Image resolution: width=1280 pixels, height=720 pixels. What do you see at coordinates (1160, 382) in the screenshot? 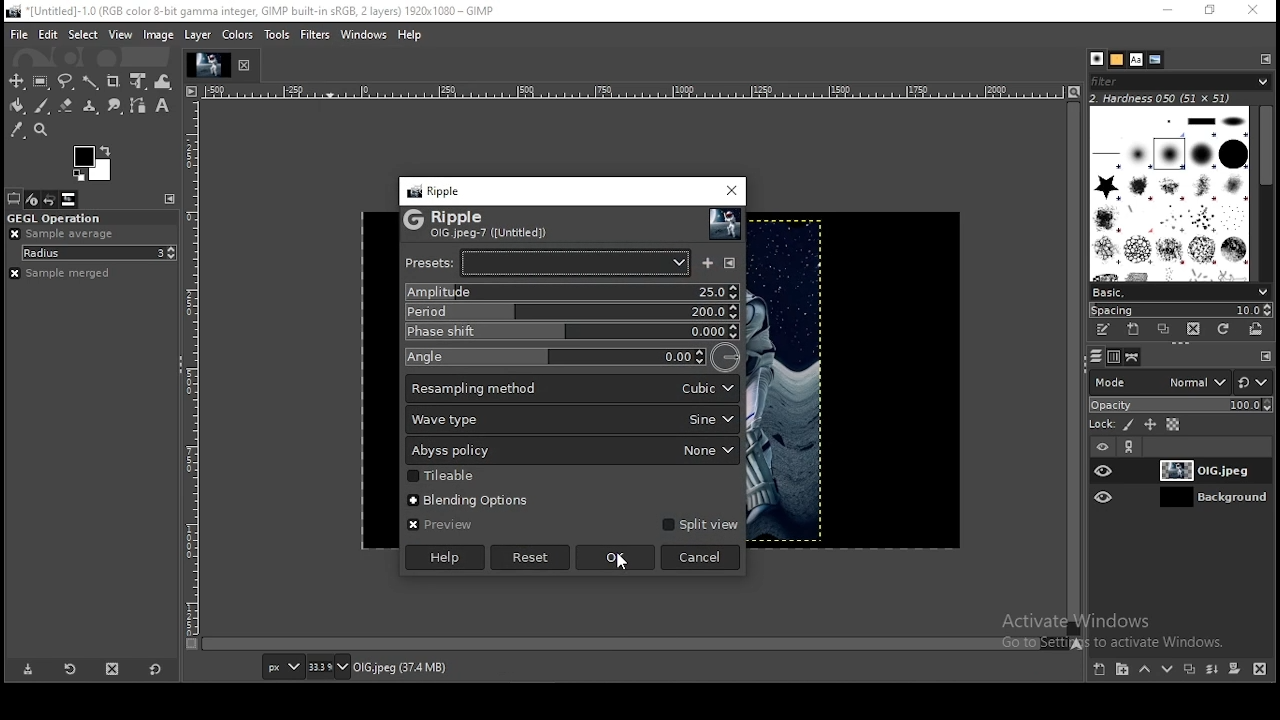
I see `layer mode` at bounding box center [1160, 382].